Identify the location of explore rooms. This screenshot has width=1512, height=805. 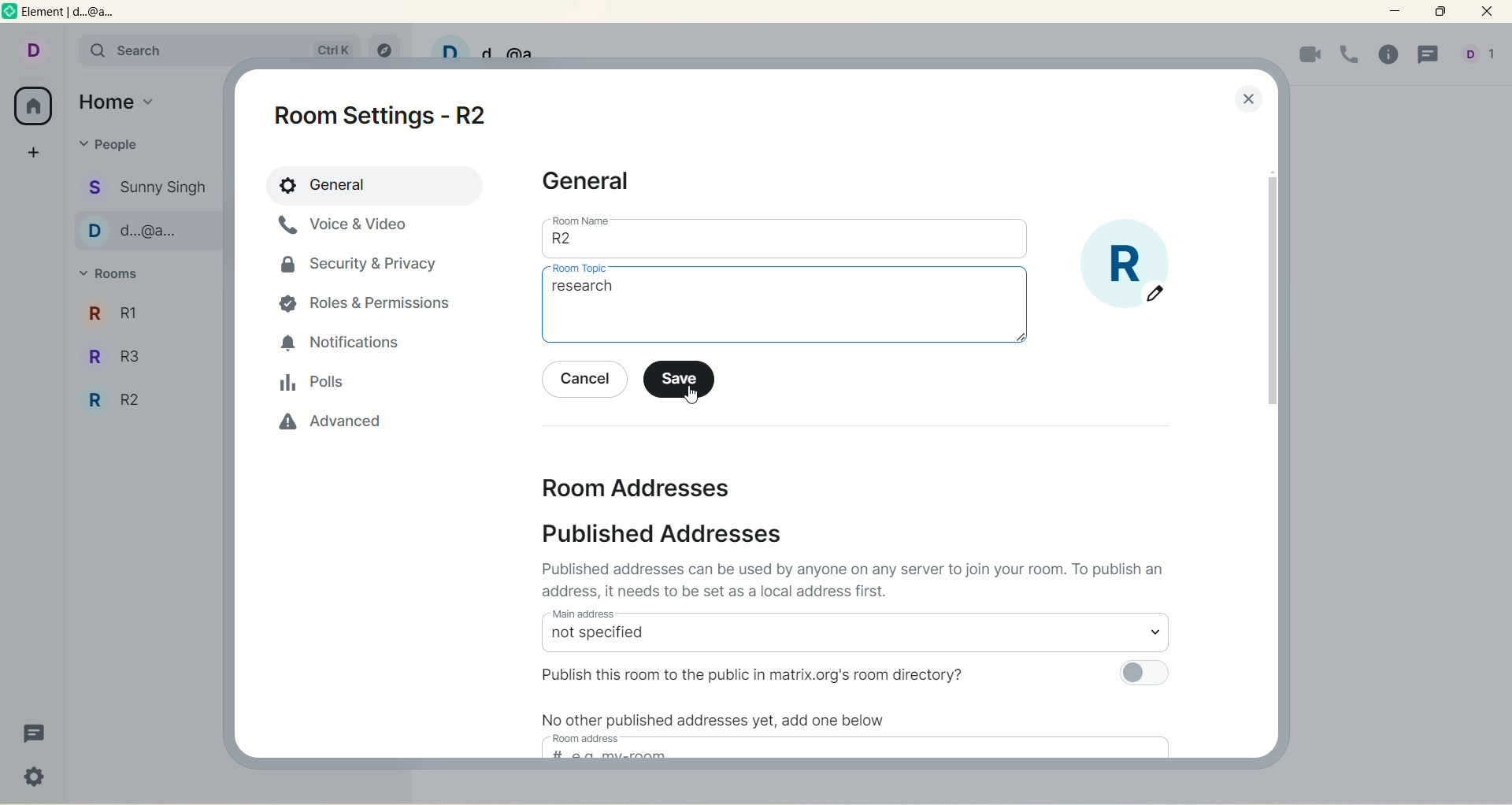
(382, 45).